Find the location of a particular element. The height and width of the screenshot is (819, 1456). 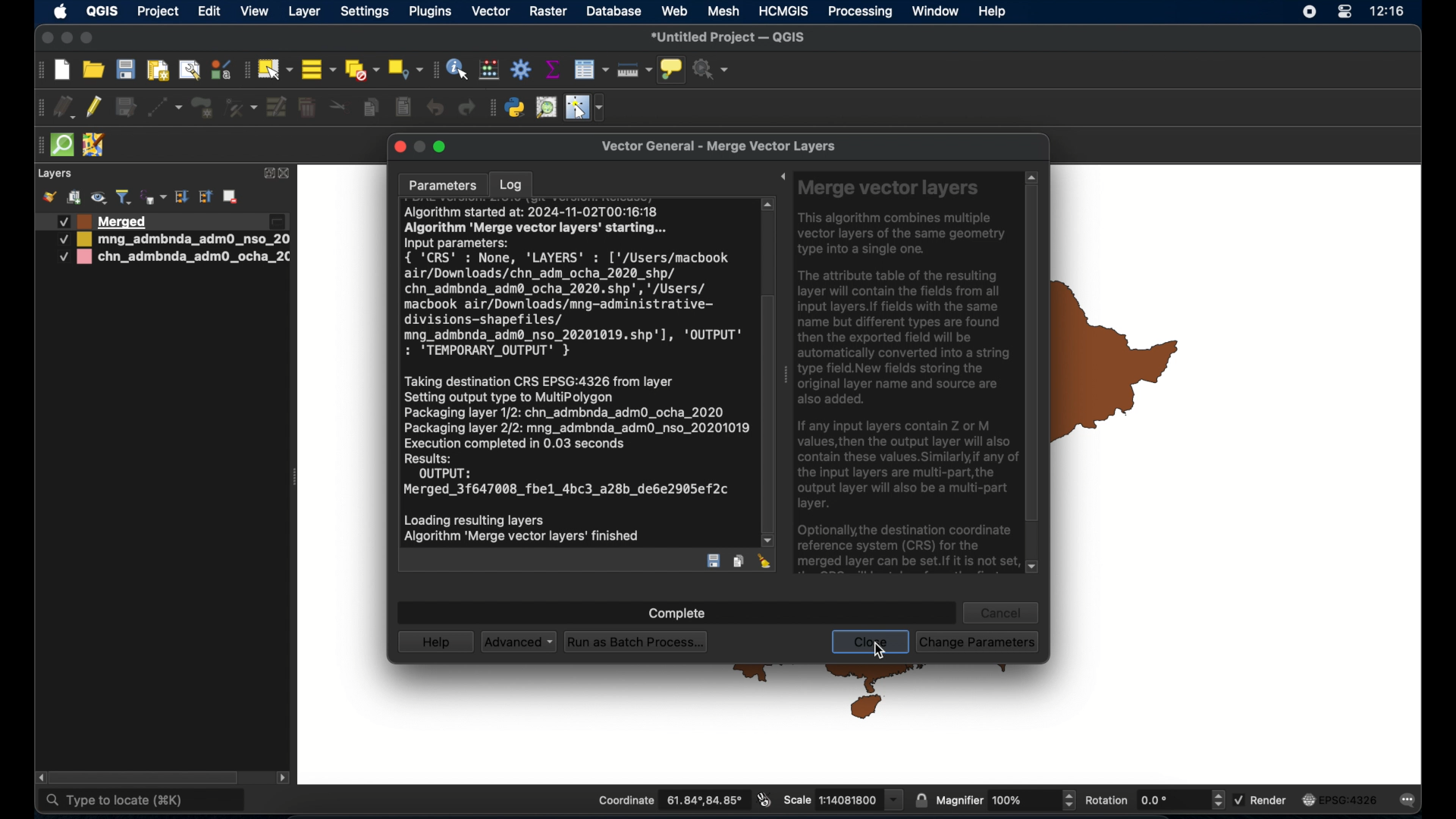

copy log entry is located at coordinates (739, 560).